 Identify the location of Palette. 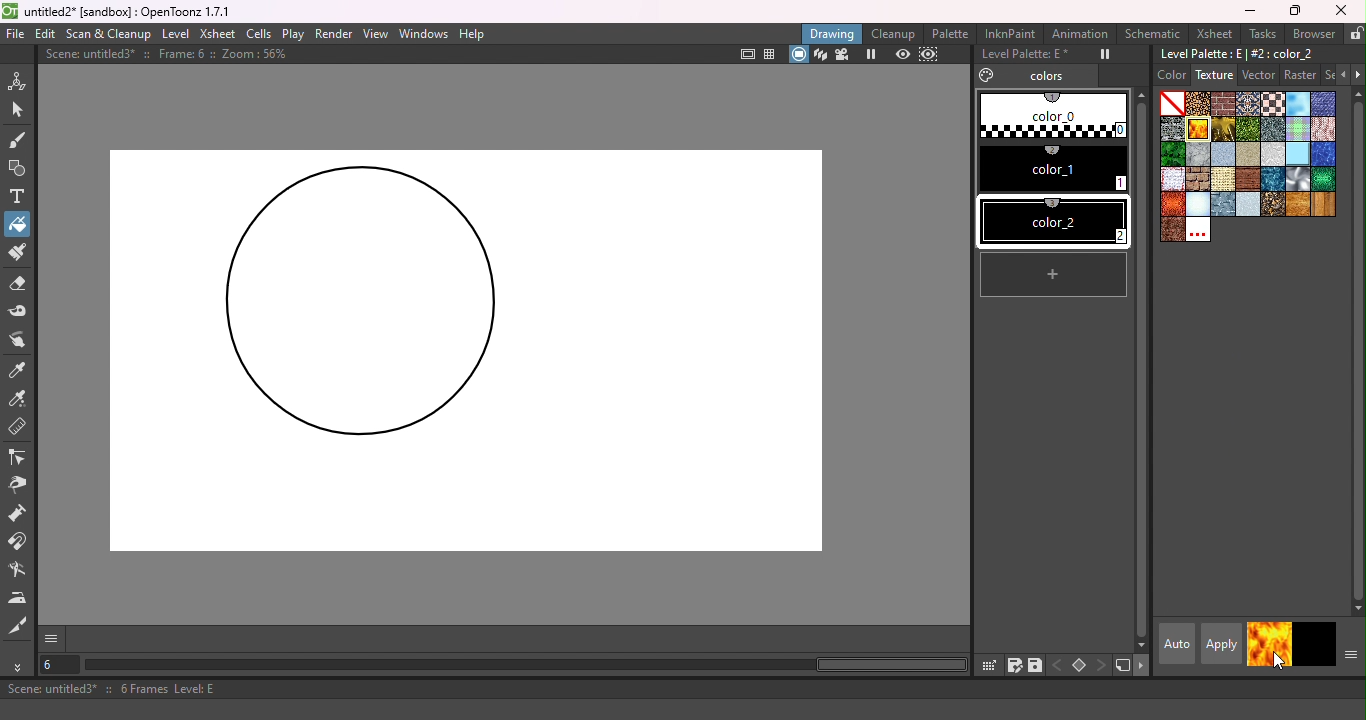
(952, 32).